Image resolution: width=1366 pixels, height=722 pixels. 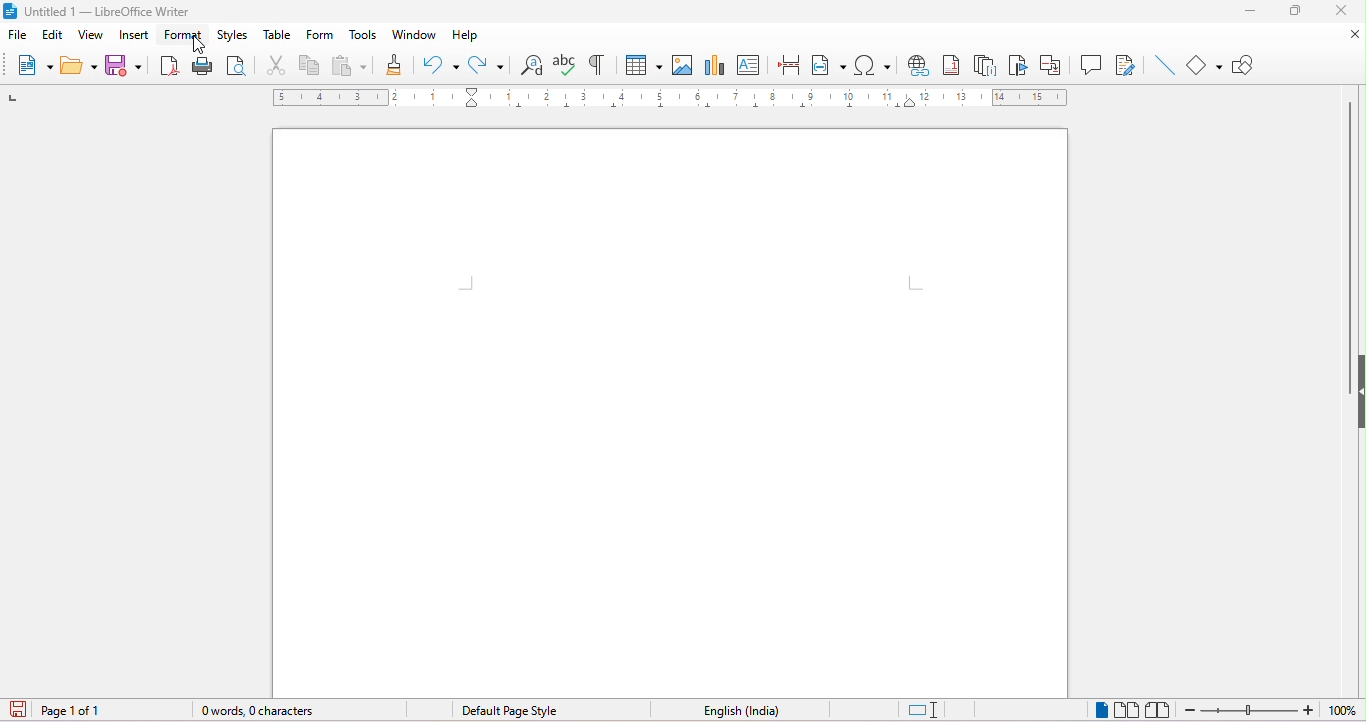 I want to click on vertical scroll bar, so click(x=1353, y=221).